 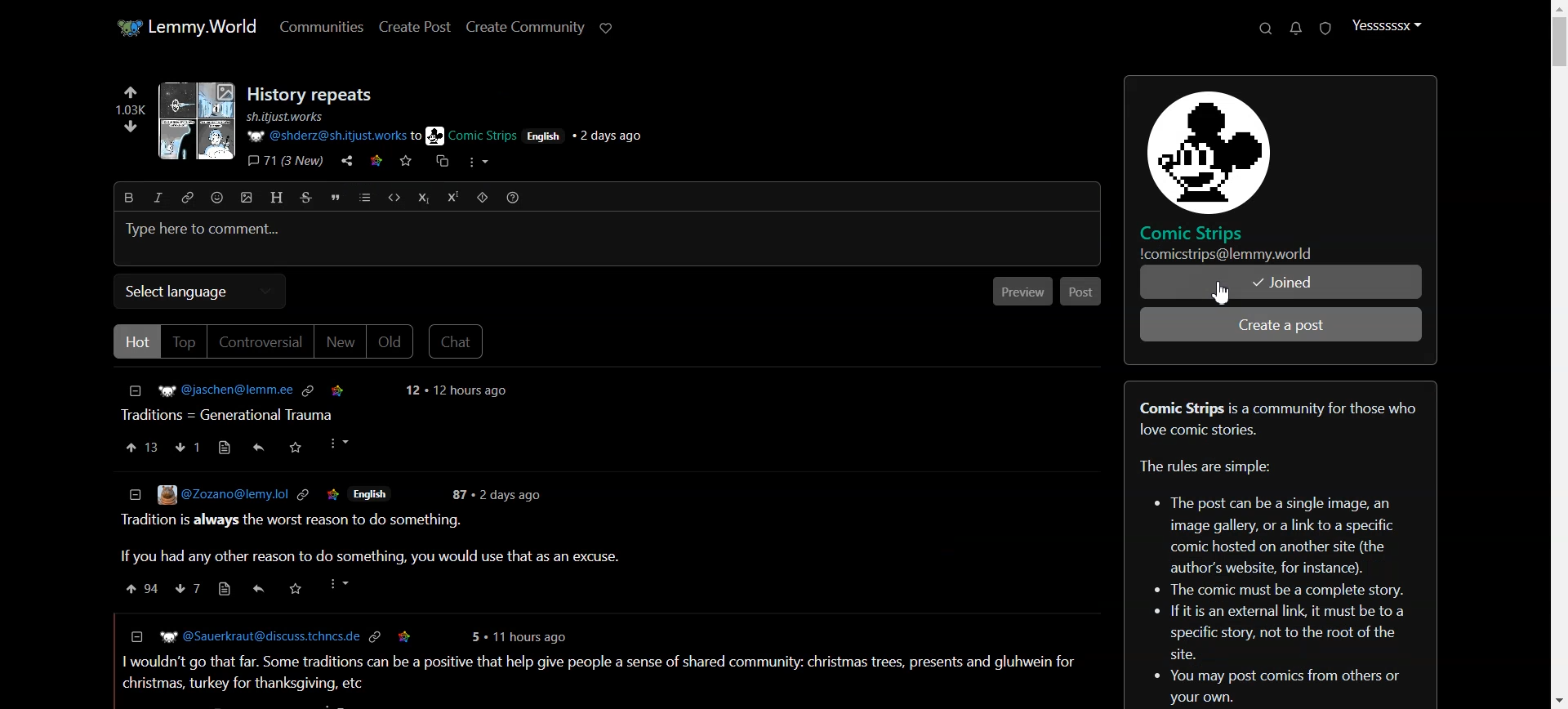 What do you see at coordinates (1385, 25) in the screenshot?
I see `Profile` at bounding box center [1385, 25].